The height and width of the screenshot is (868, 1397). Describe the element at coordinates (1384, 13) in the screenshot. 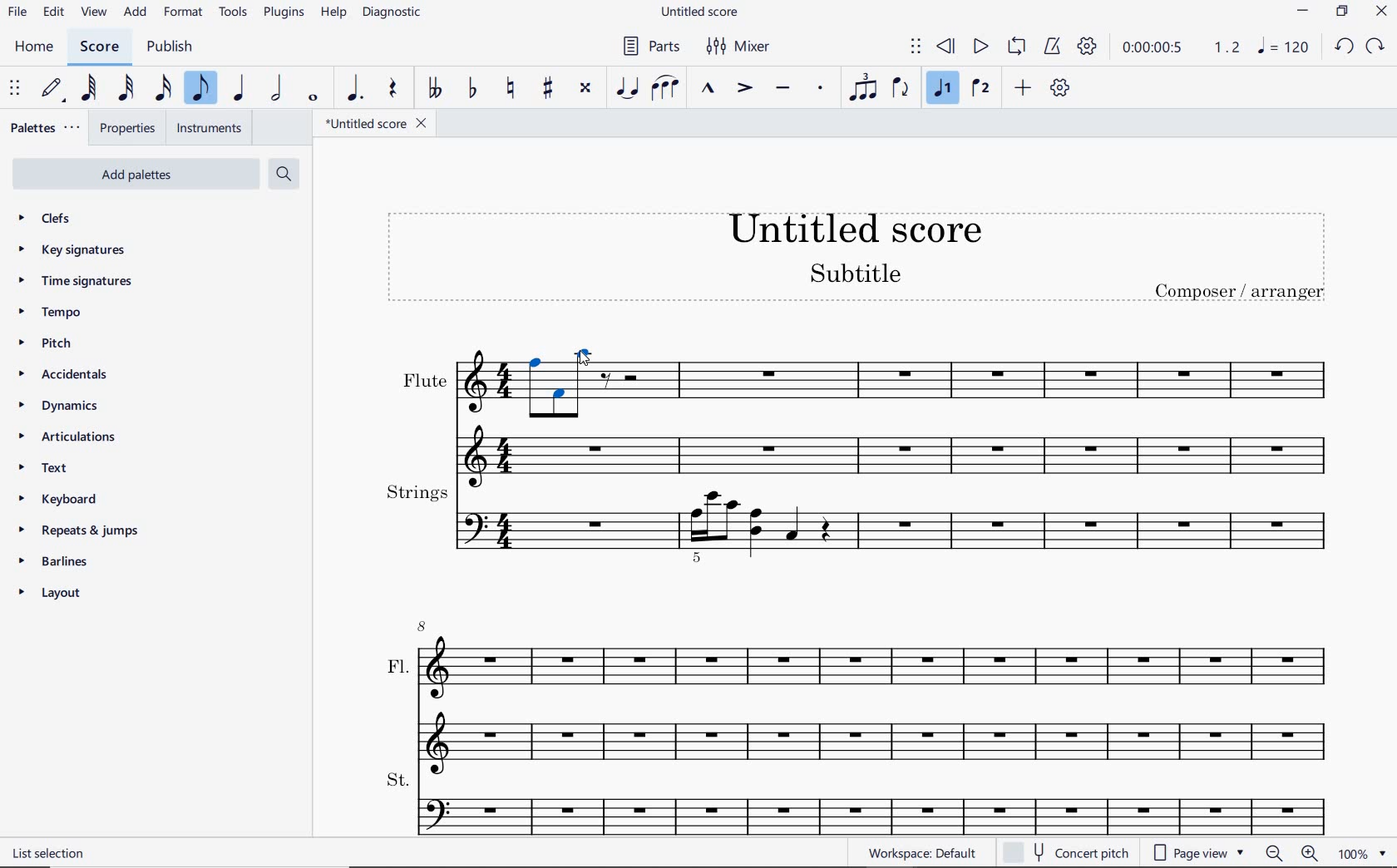

I see `close` at that location.